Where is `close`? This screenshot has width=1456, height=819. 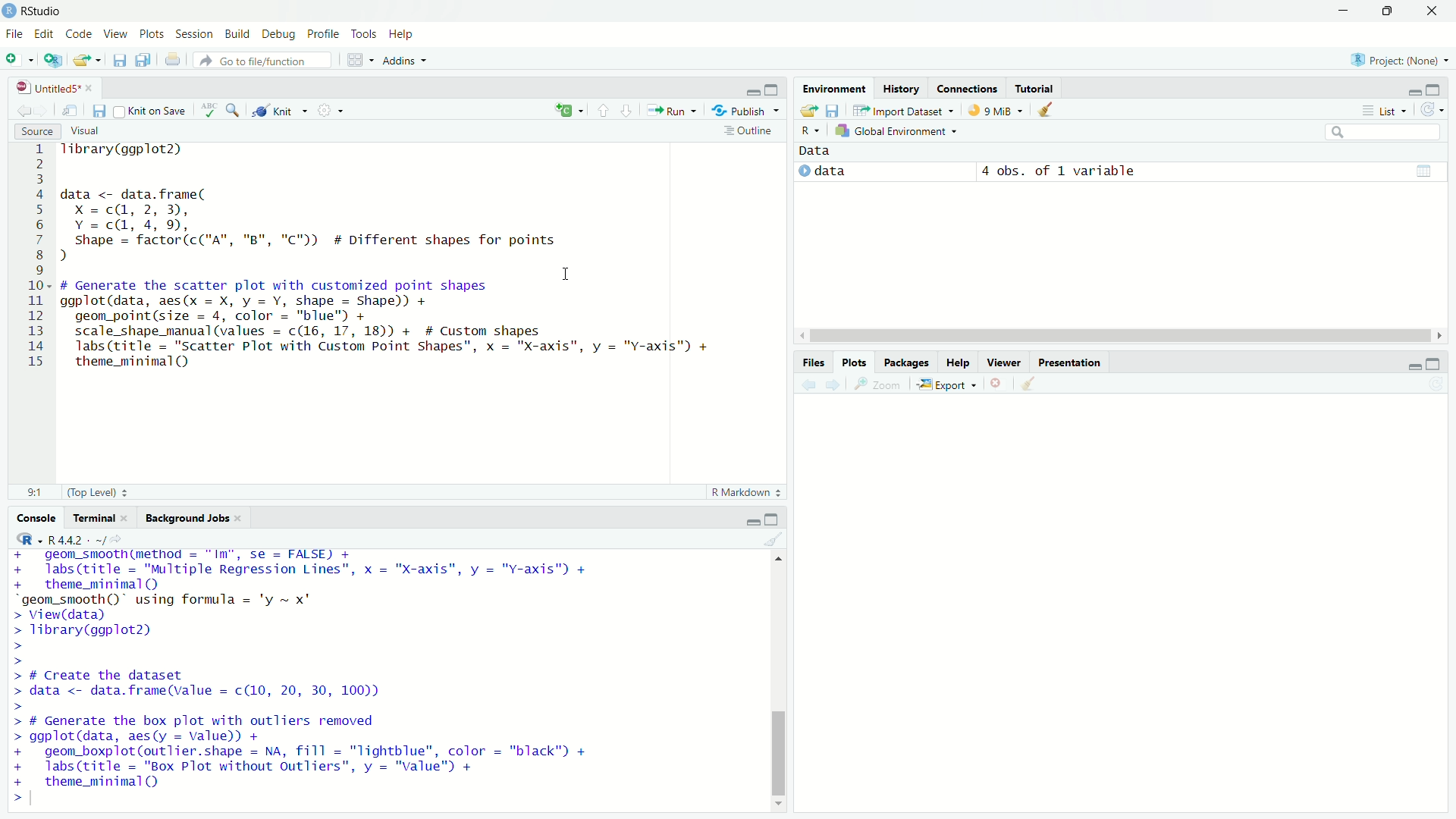 close is located at coordinates (1432, 11).